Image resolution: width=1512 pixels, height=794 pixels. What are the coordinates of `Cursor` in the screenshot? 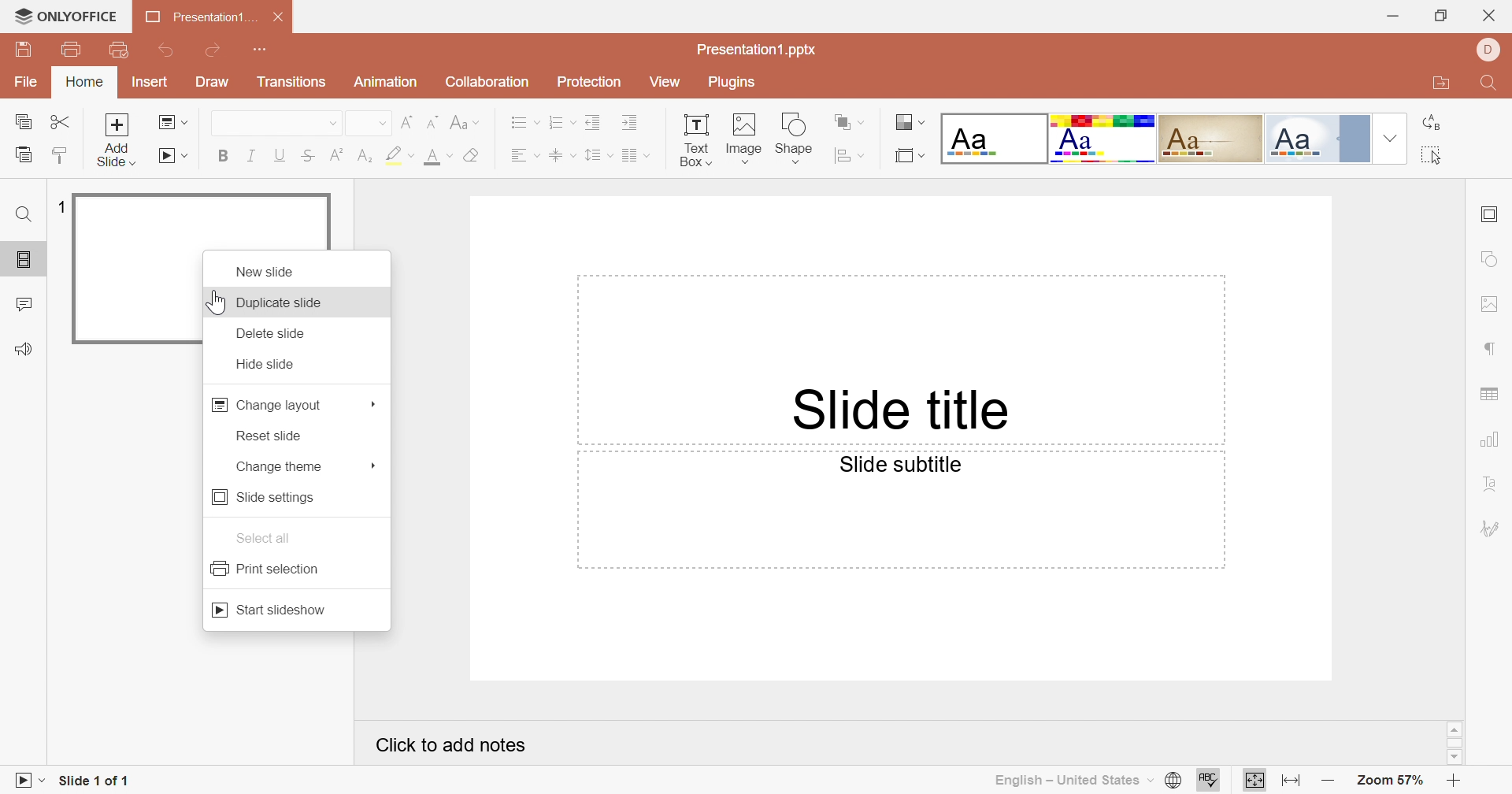 It's located at (215, 302).